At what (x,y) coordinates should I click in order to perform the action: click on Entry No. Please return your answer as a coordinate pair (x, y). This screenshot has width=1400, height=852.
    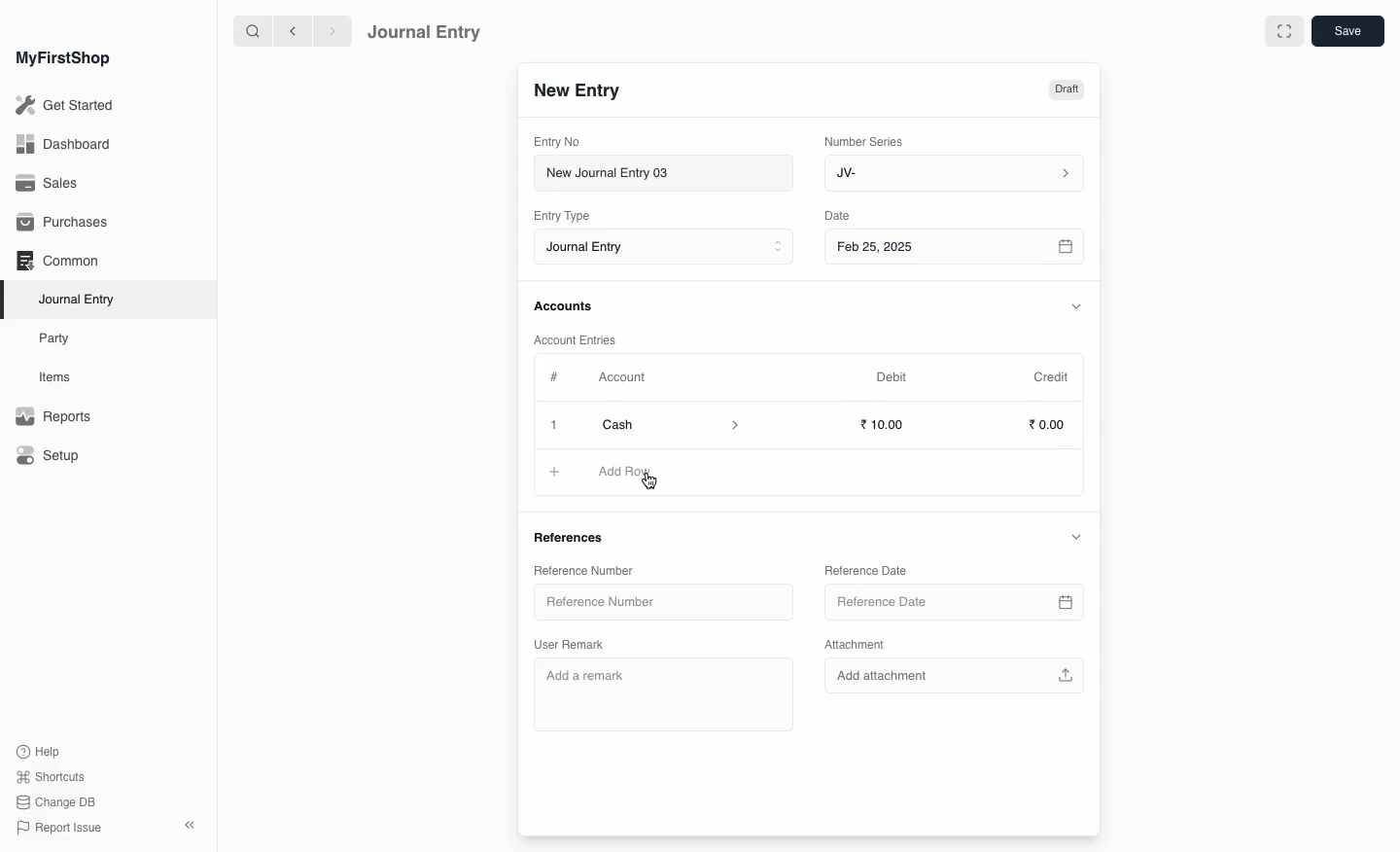
    Looking at the image, I should click on (558, 141).